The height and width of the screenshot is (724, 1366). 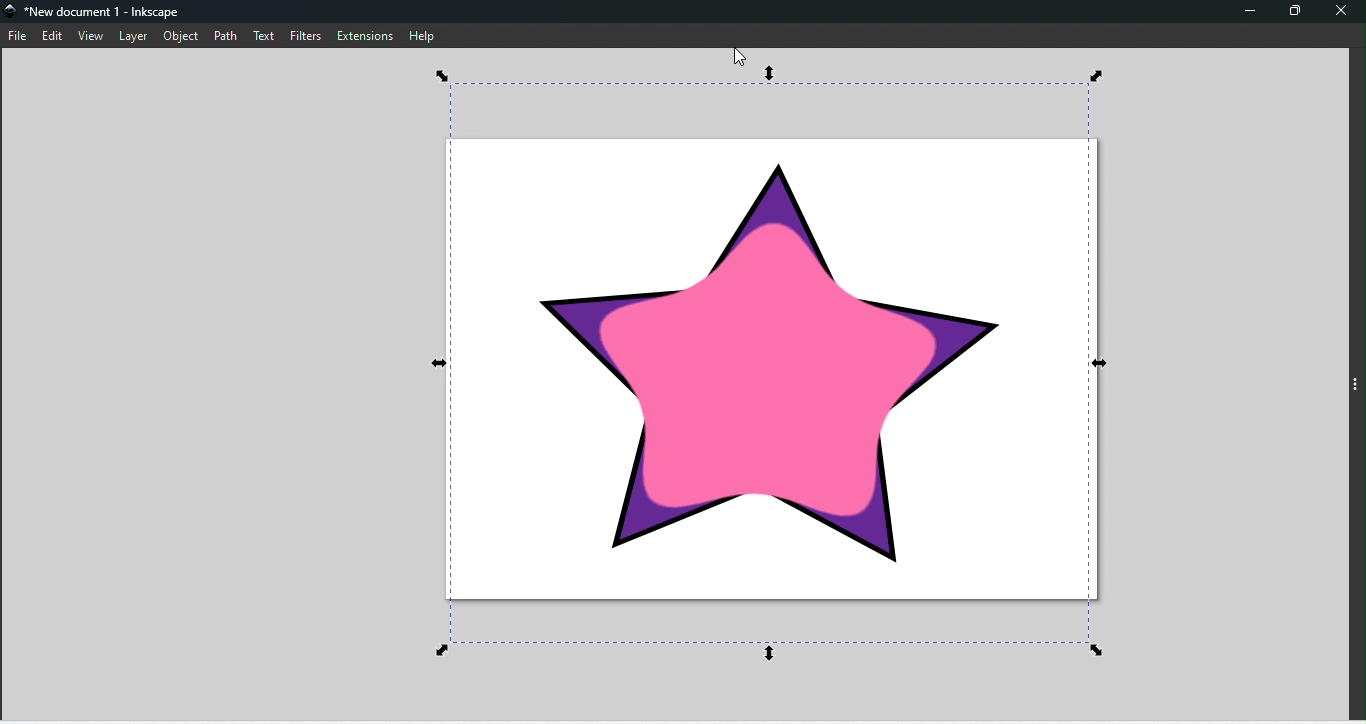 I want to click on Object, so click(x=184, y=36).